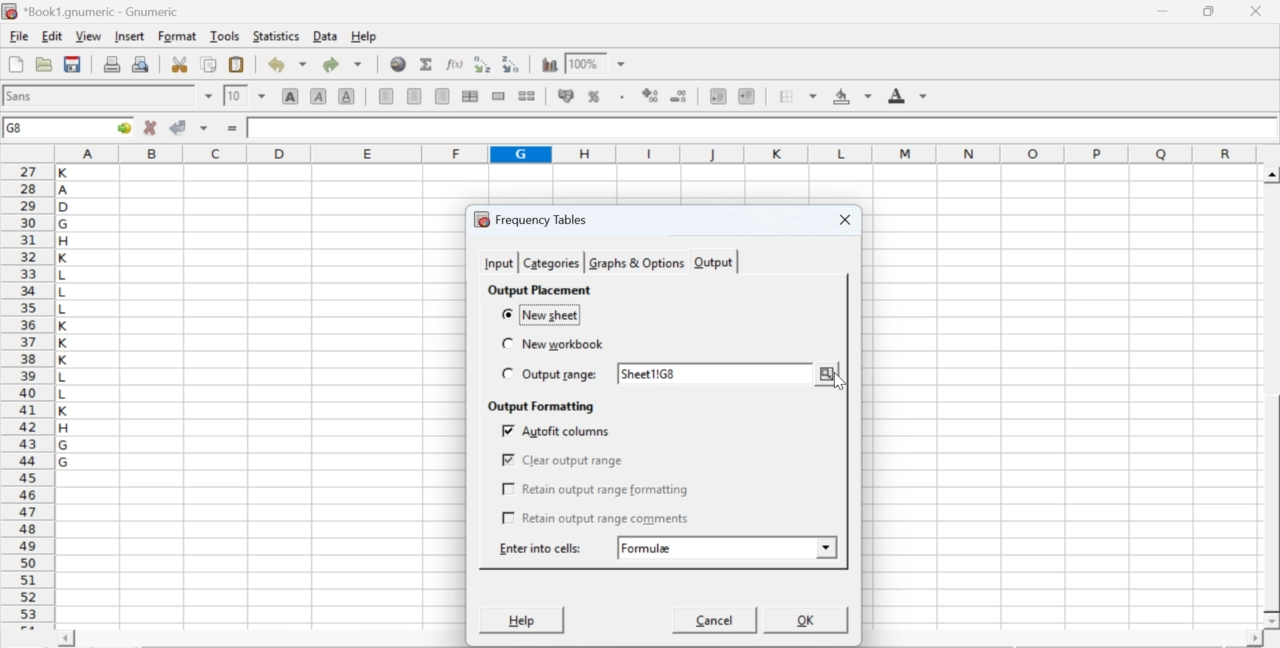 The image size is (1280, 648). What do you see at coordinates (537, 407) in the screenshot?
I see `output formatting` at bounding box center [537, 407].